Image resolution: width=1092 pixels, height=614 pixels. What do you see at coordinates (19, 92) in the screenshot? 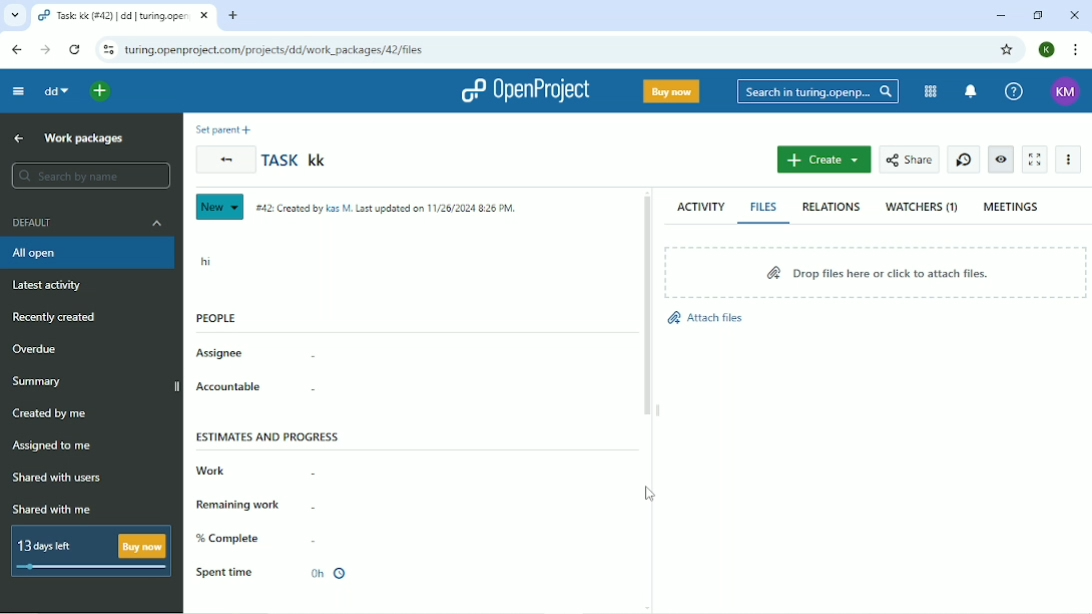
I see `Collapse project menu` at bounding box center [19, 92].